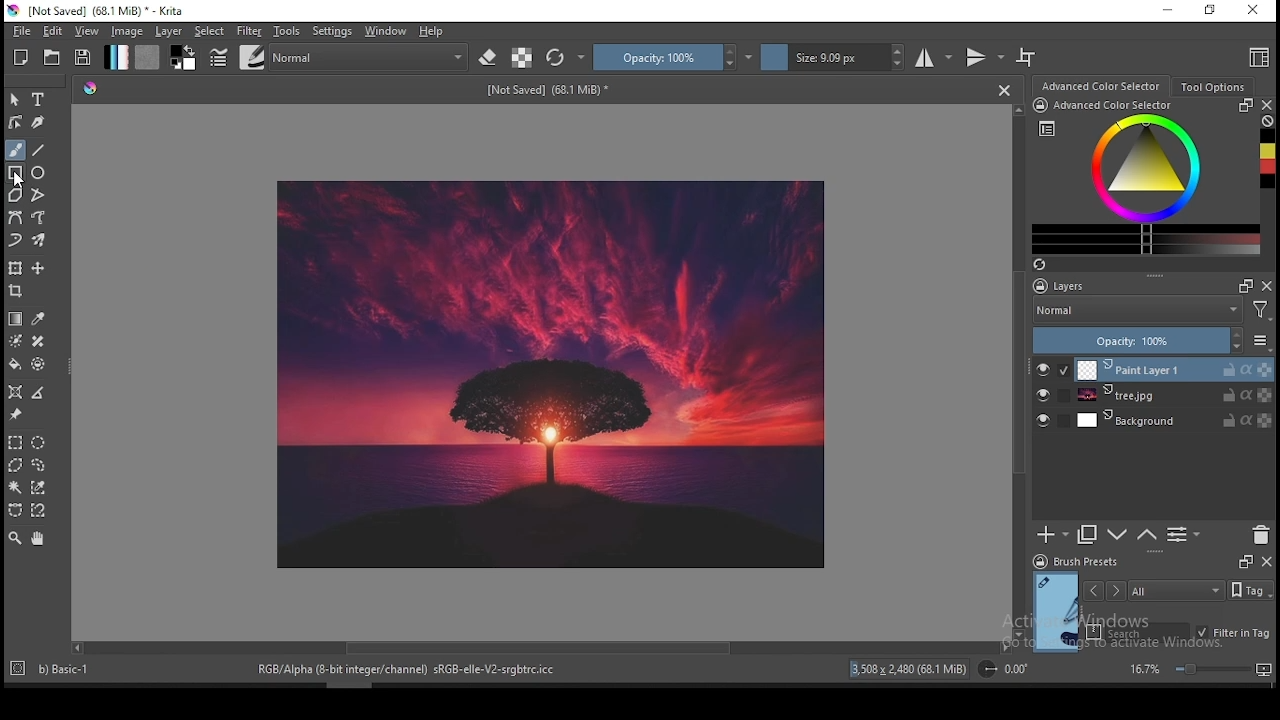  What do you see at coordinates (14, 195) in the screenshot?
I see `polygon tool` at bounding box center [14, 195].